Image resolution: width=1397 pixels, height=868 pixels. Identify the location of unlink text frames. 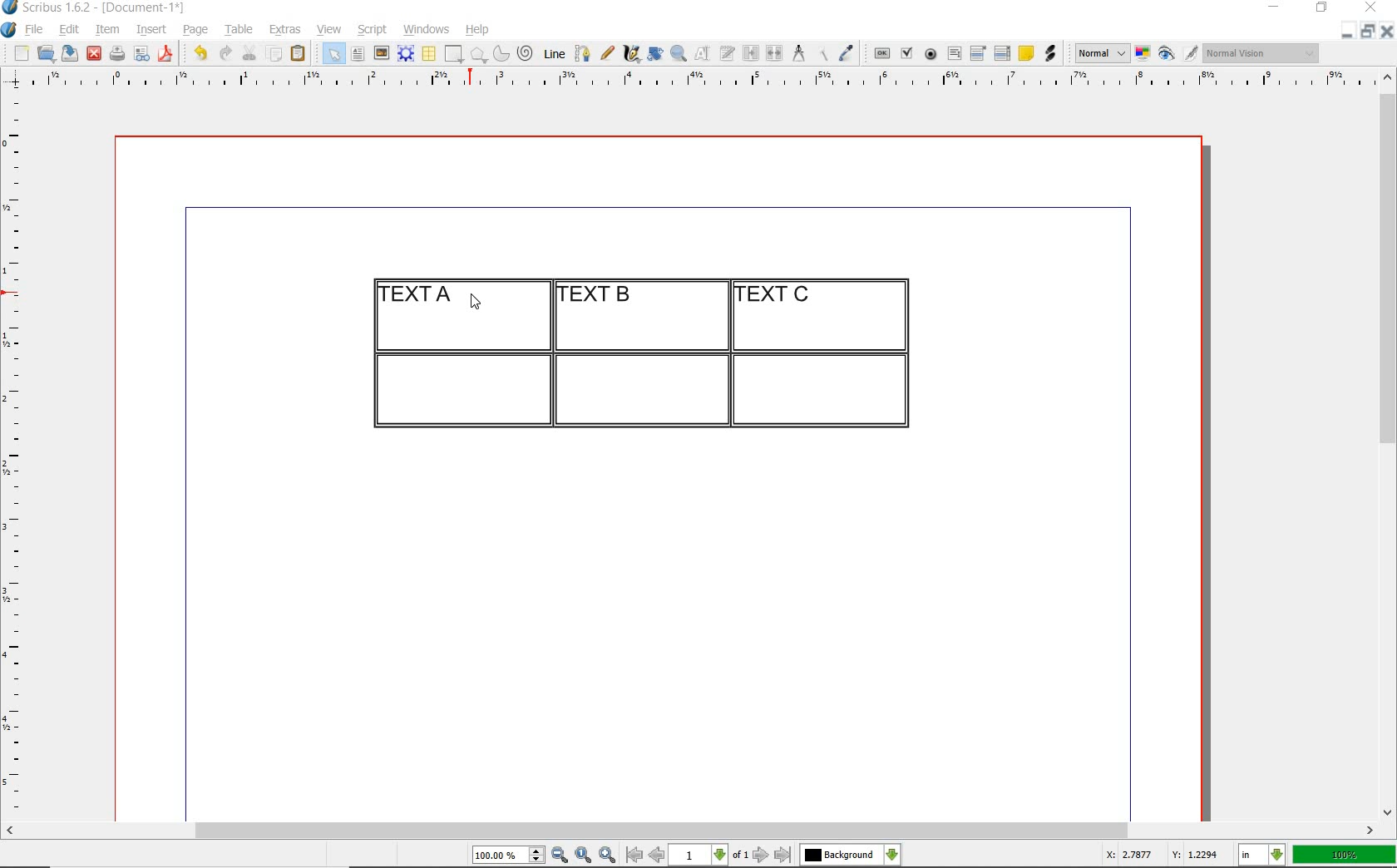
(774, 54).